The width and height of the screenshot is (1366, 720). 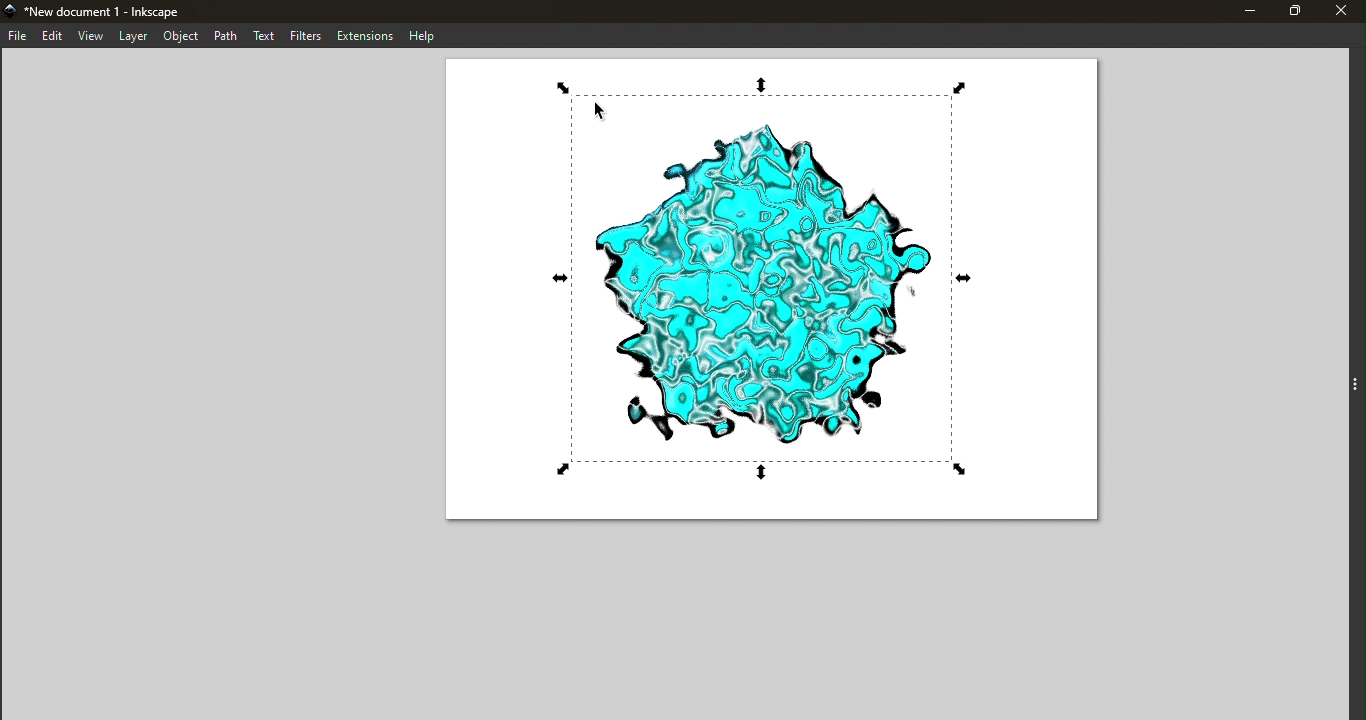 I want to click on Maximize, so click(x=1295, y=11).